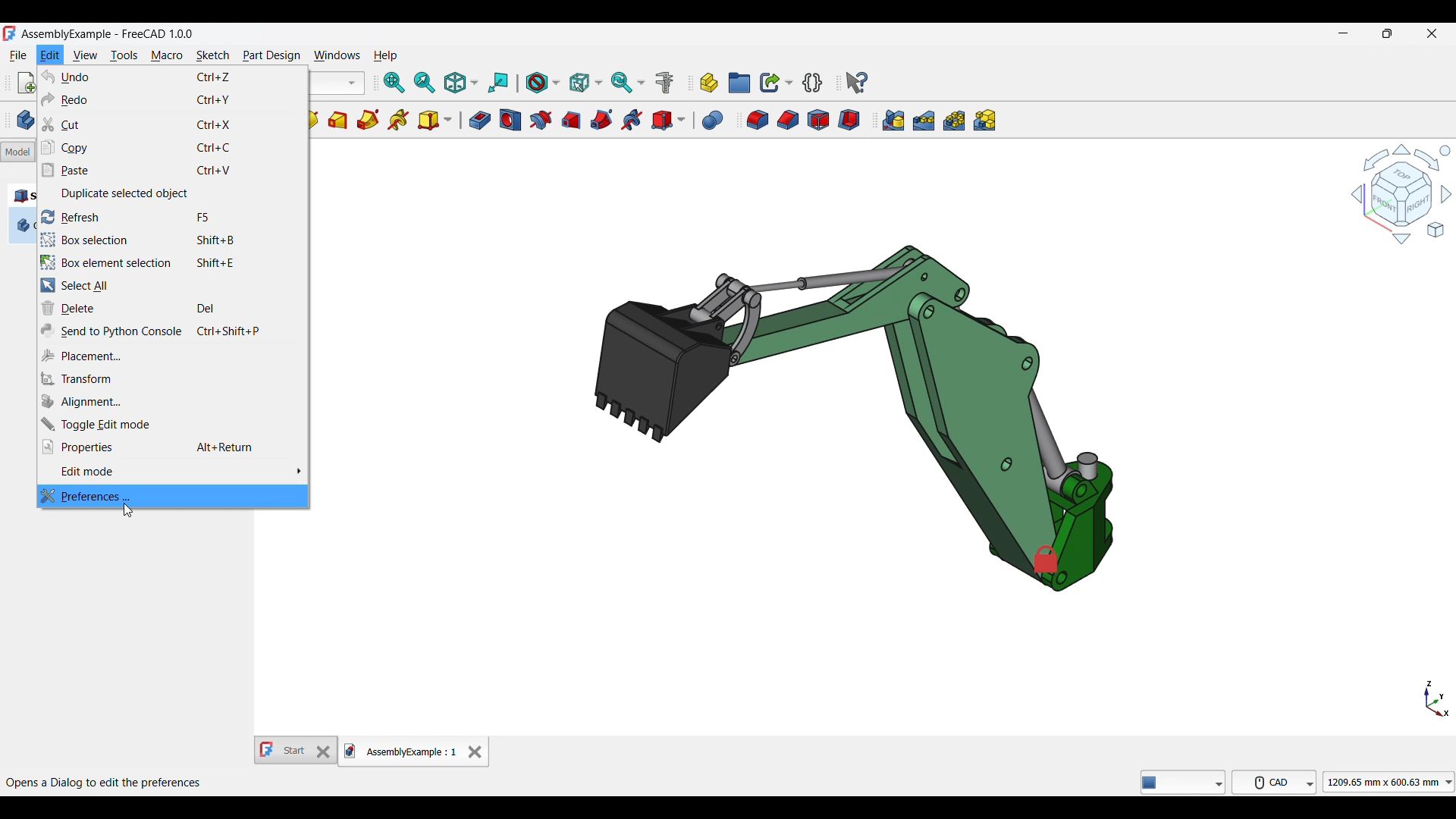  I want to click on Create multitransform, so click(984, 120).